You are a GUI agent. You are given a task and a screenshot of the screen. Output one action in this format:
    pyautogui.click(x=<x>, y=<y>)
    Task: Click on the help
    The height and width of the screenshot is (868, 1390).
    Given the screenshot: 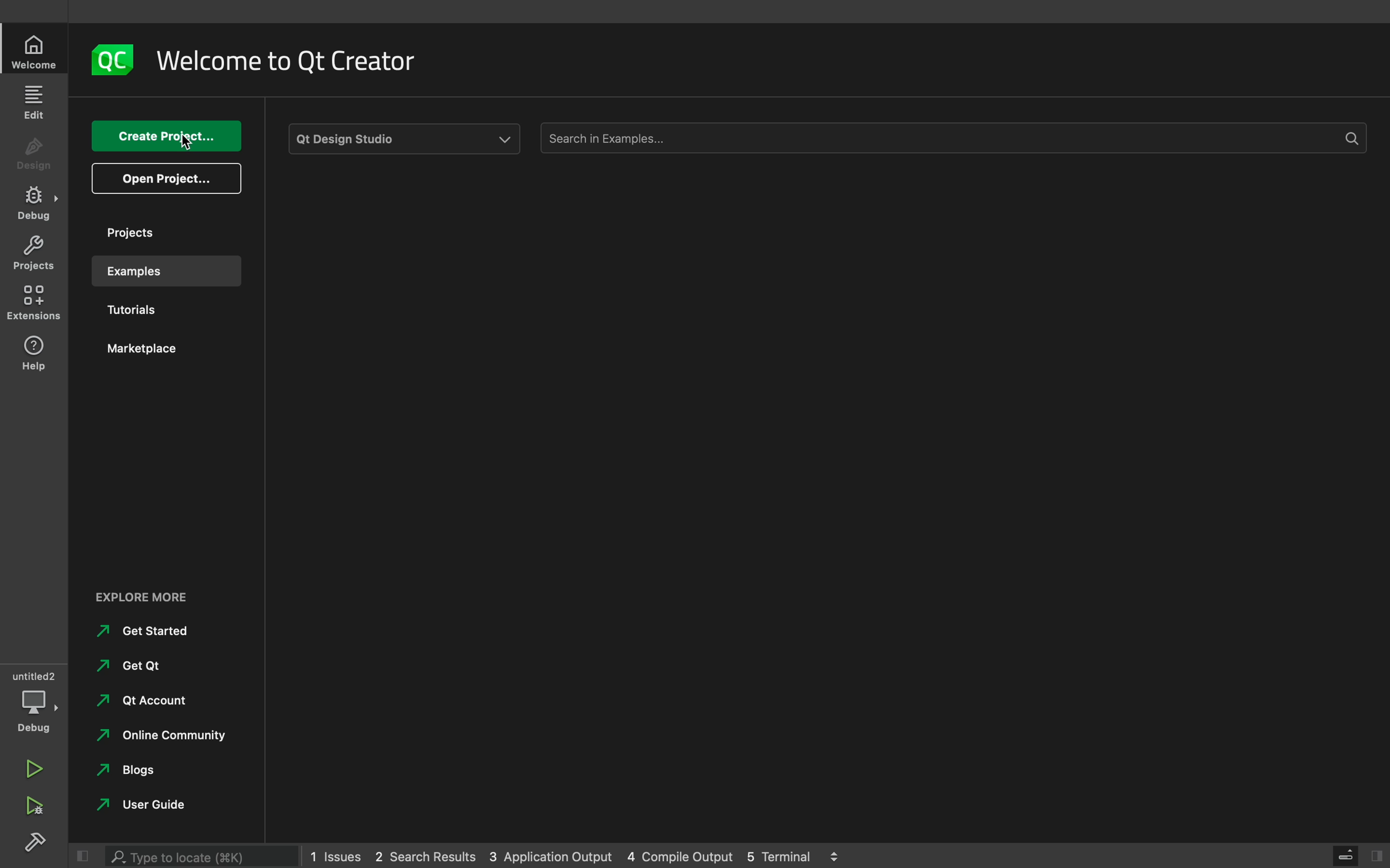 What is the action you would take?
    pyautogui.click(x=34, y=352)
    